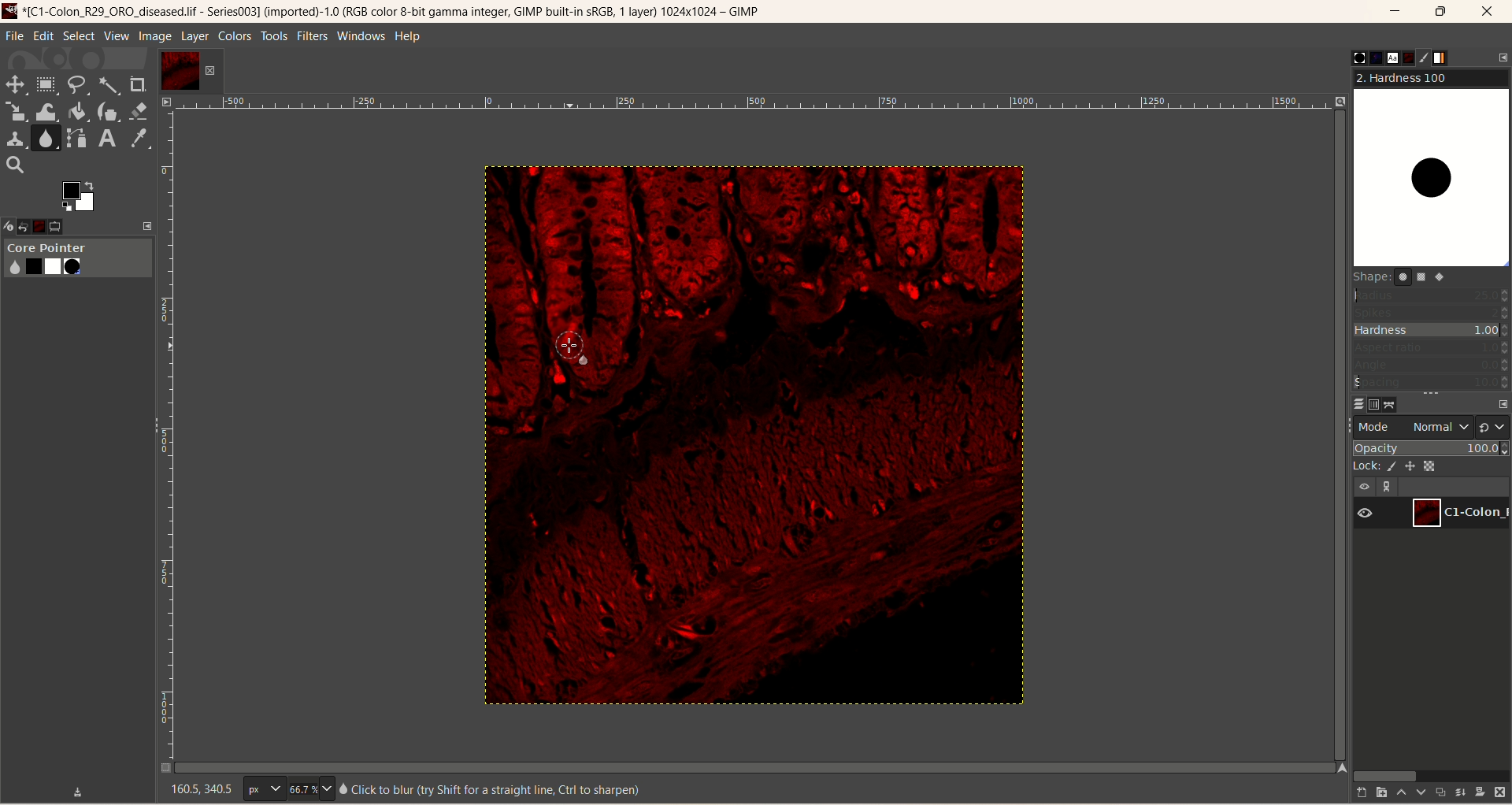 This screenshot has height=805, width=1512. I want to click on rectangle select tool, so click(46, 83).